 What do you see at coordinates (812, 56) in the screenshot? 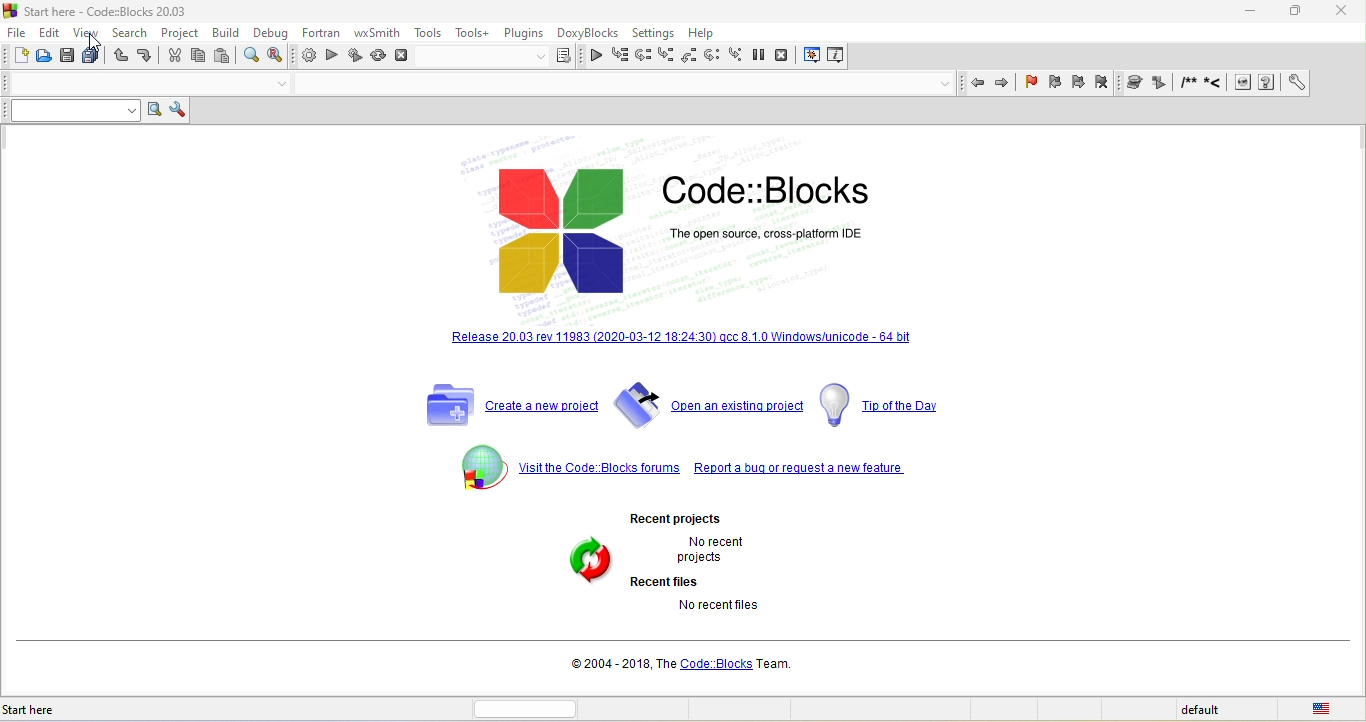
I see `debugging window` at bounding box center [812, 56].